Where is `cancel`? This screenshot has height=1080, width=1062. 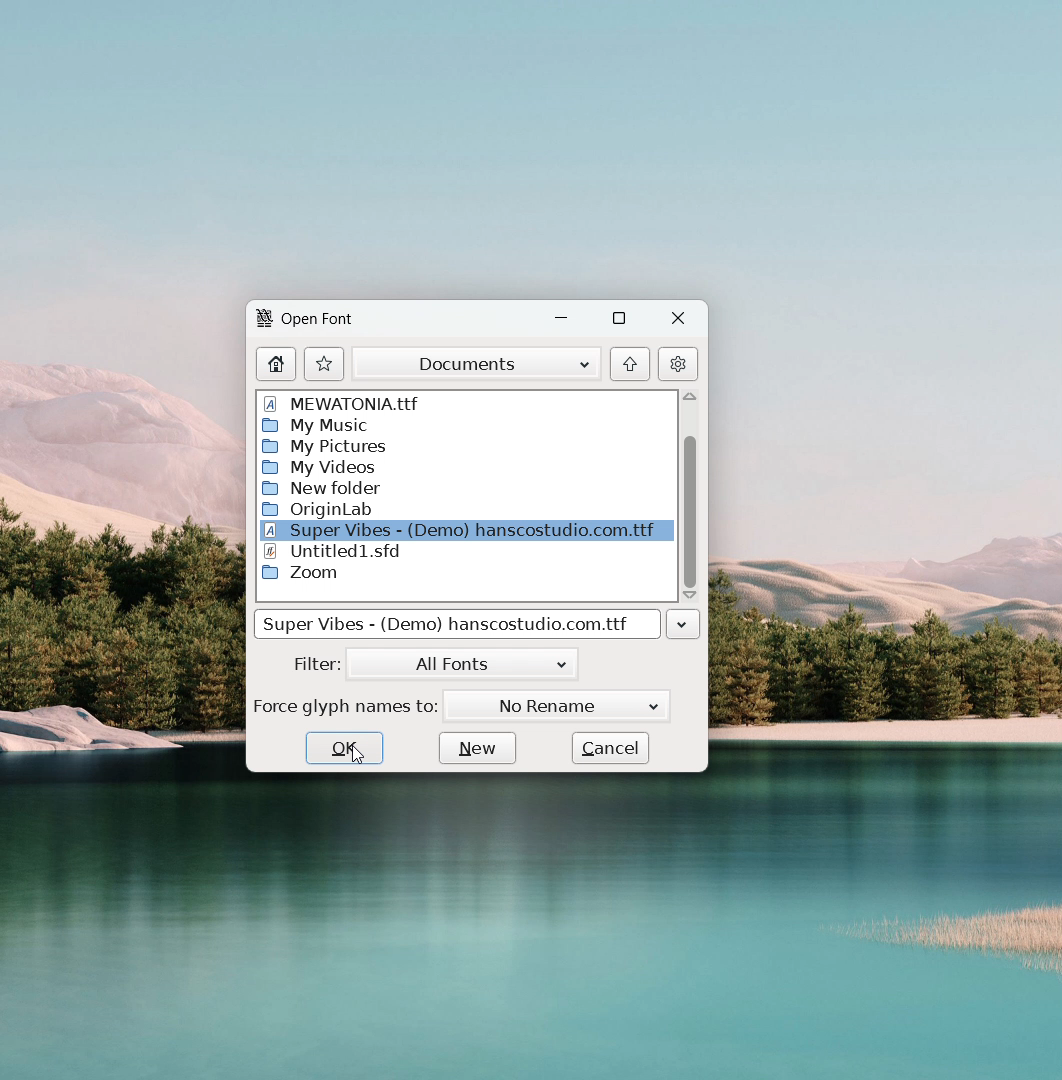
cancel is located at coordinates (611, 748).